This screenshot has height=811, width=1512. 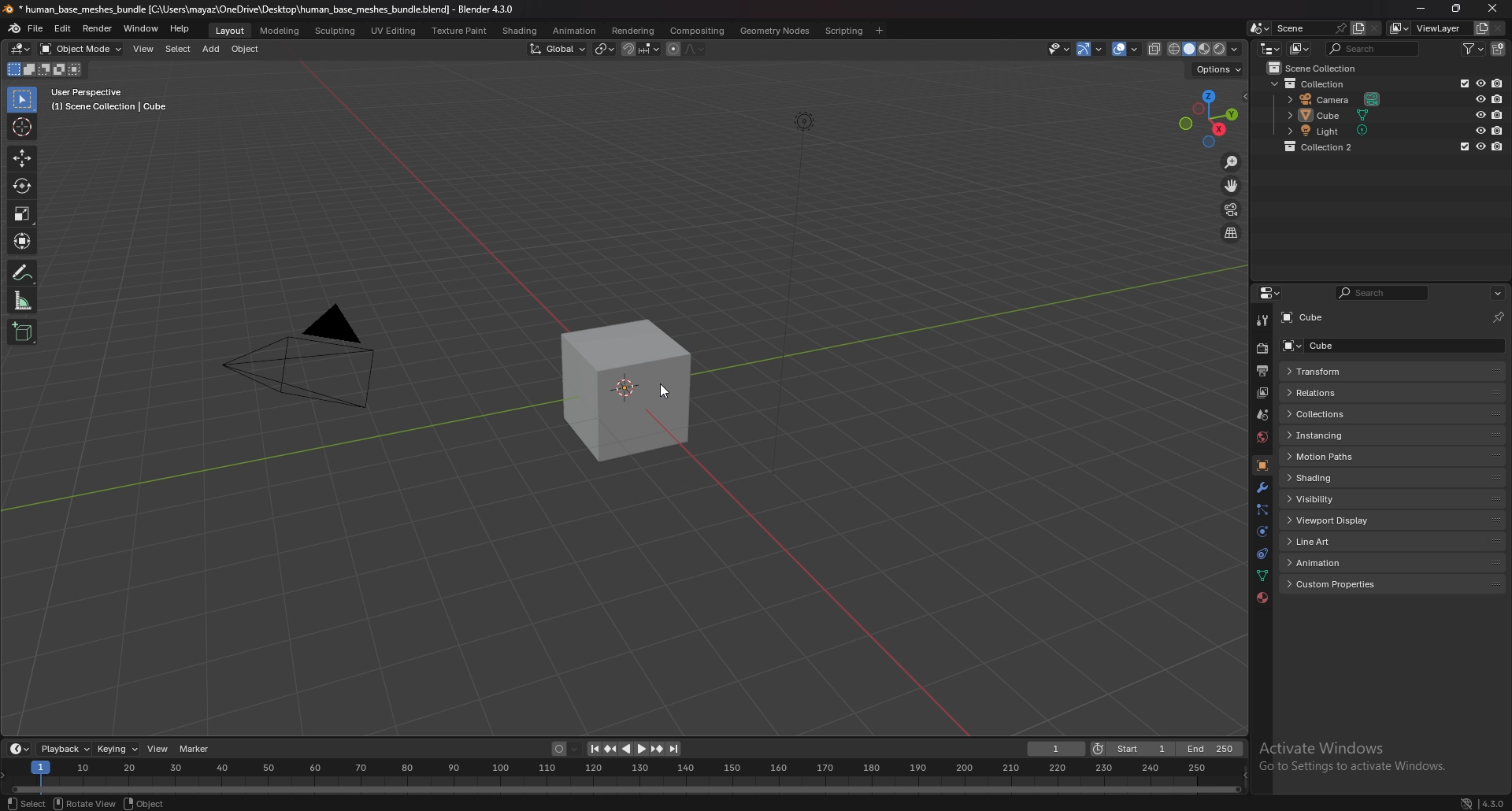 I want to click on zoom, so click(x=1232, y=161).